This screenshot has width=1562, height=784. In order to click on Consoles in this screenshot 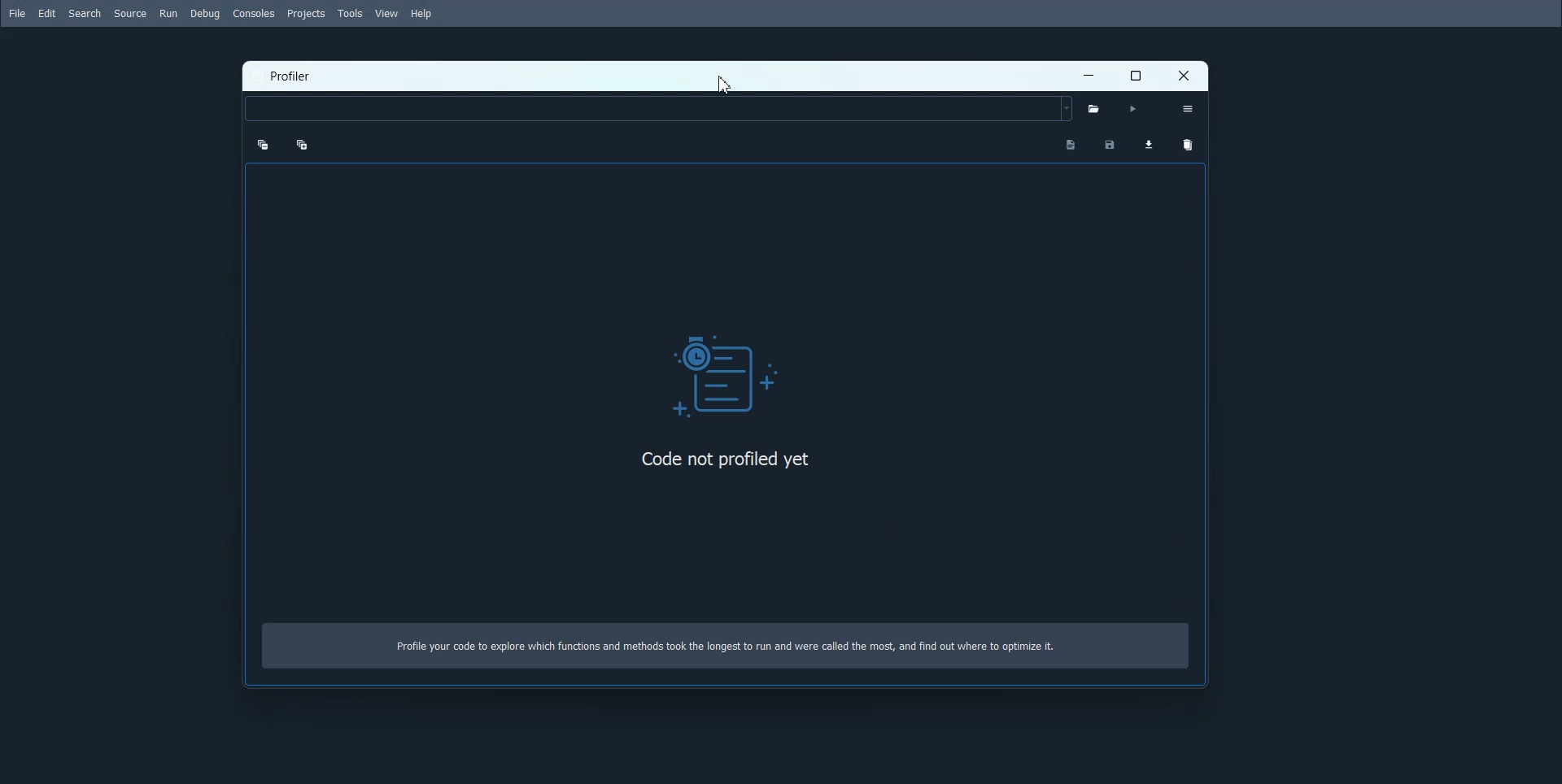, I will do `click(254, 14)`.